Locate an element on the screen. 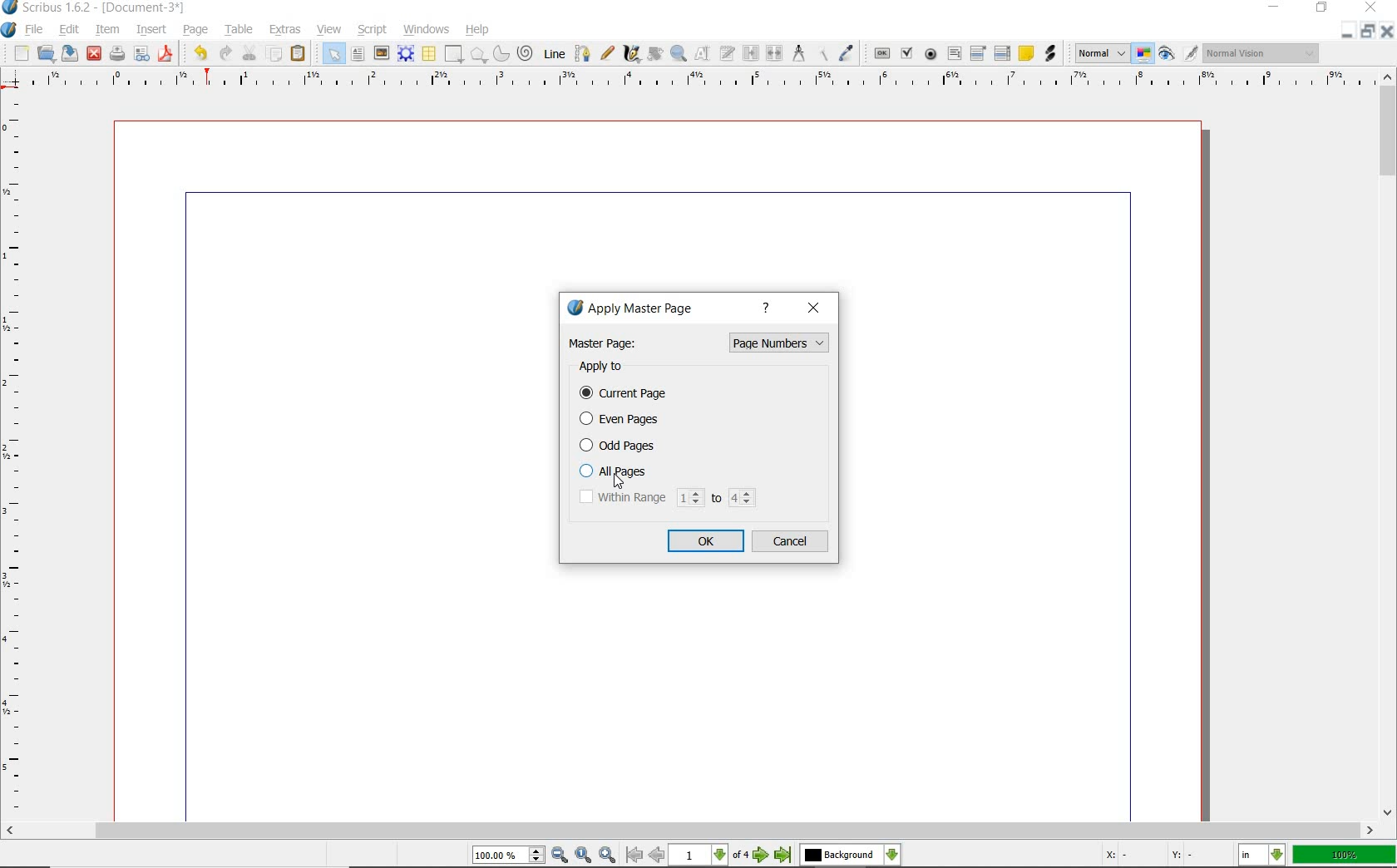  save is located at coordinates (68, 53).